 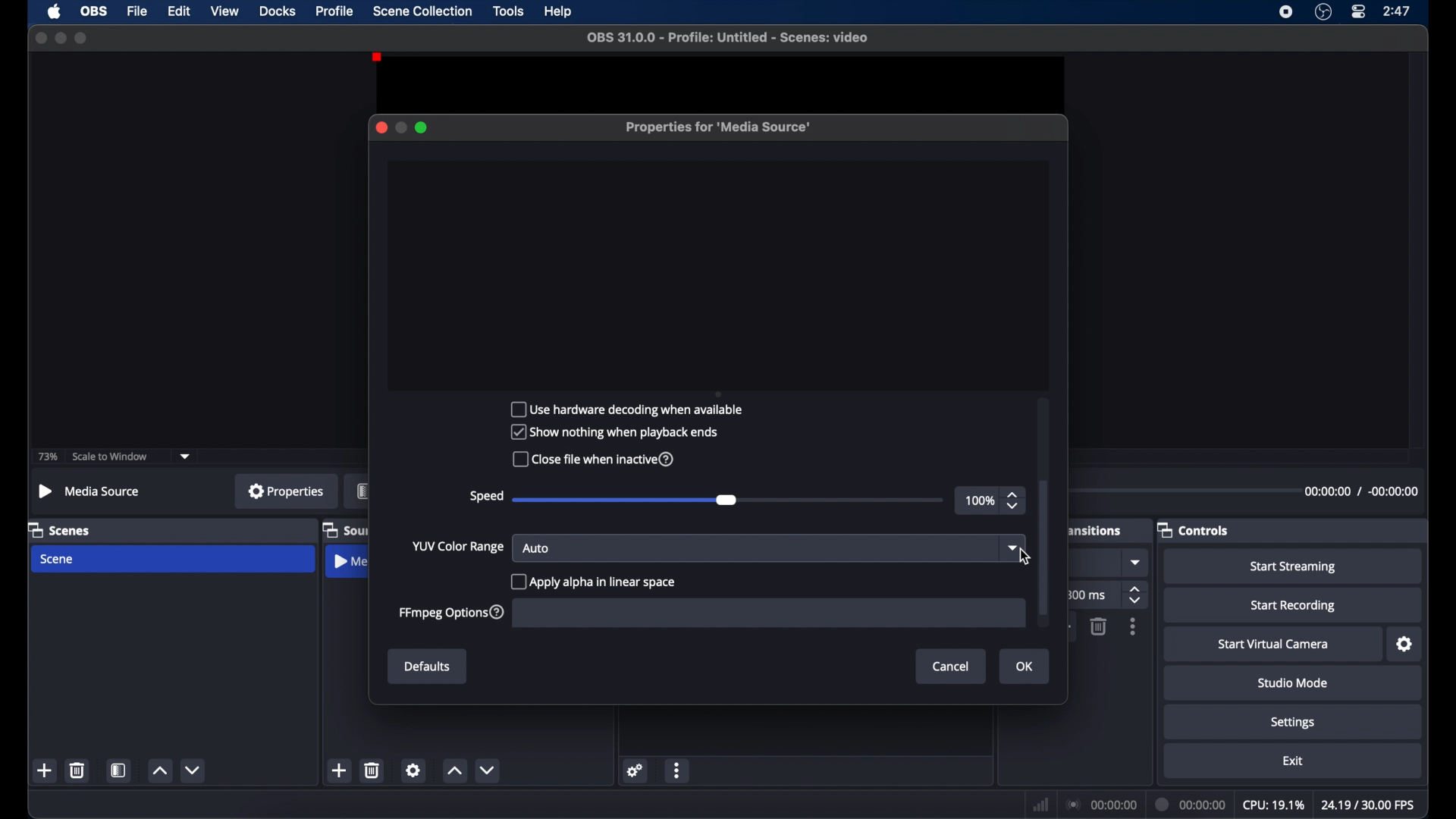 I want to click on ffmpeg options, so click(x=453, y=613).